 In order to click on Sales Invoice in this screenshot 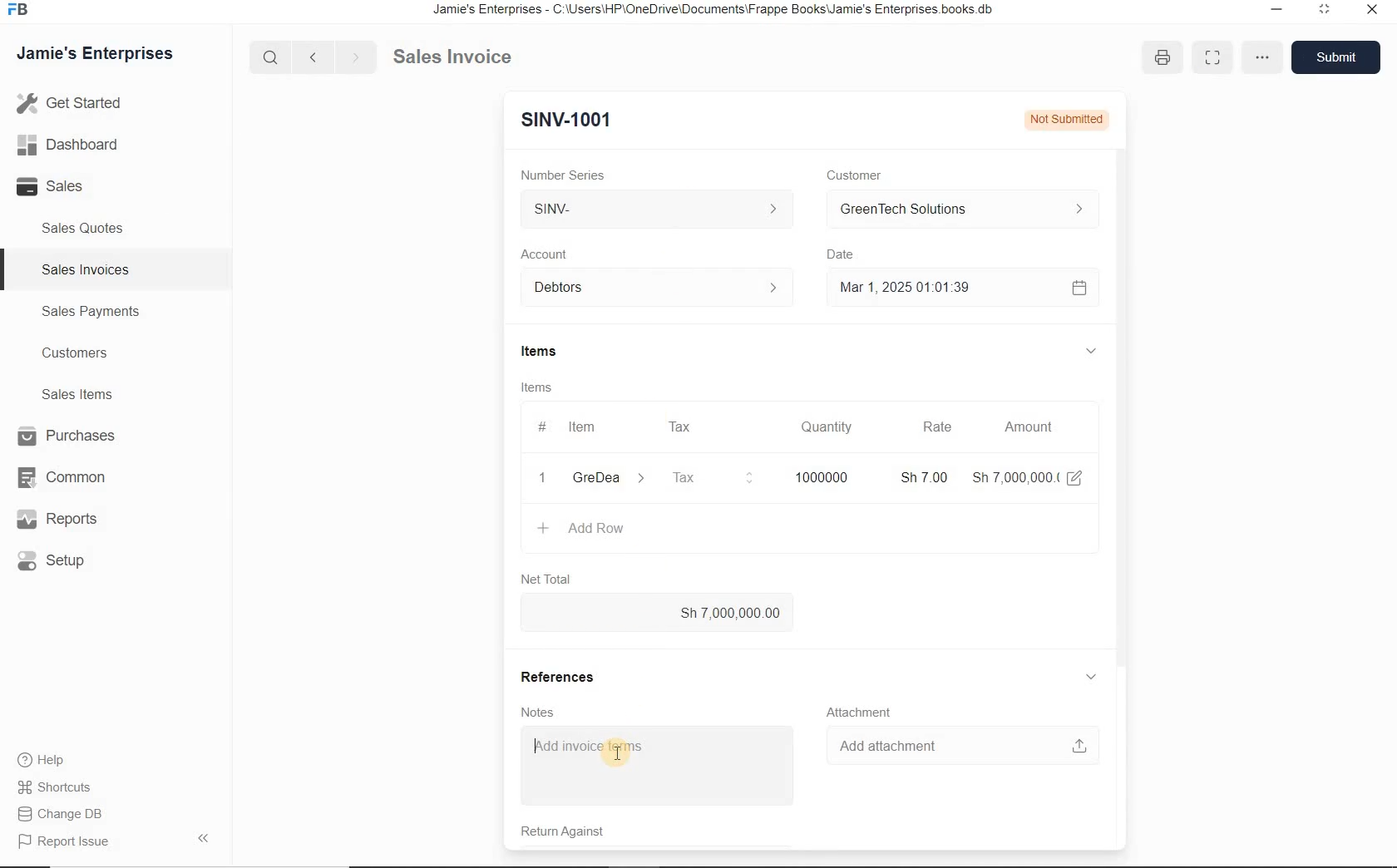, I will do `click(454, 57)`.